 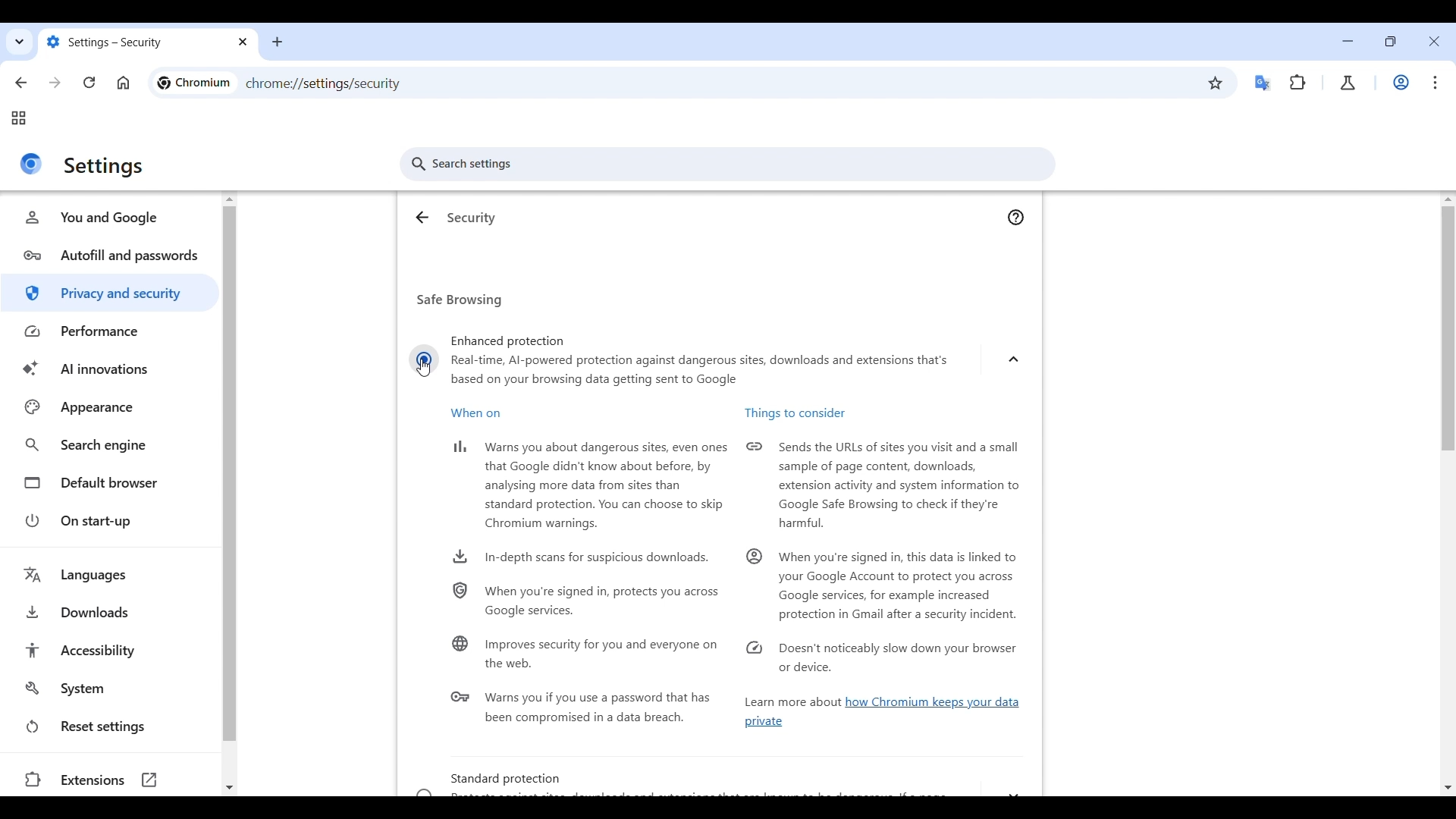 What do you see at coordinates (124, 83) in the screenshot?
I see `Click to go to homepage` at bounding box center [124, 83].